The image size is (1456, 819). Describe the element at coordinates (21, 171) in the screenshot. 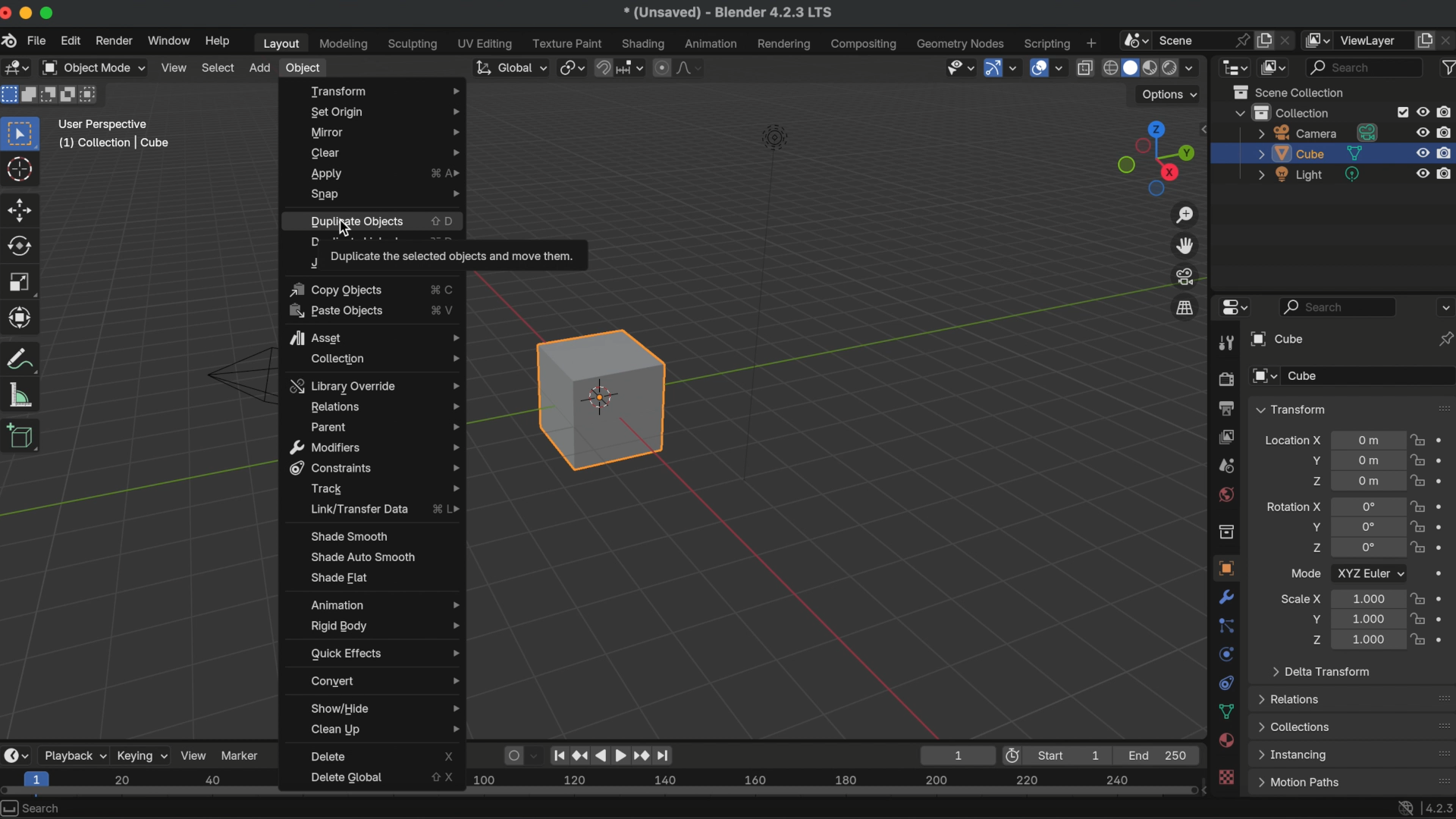

I see `cursor` at that location.